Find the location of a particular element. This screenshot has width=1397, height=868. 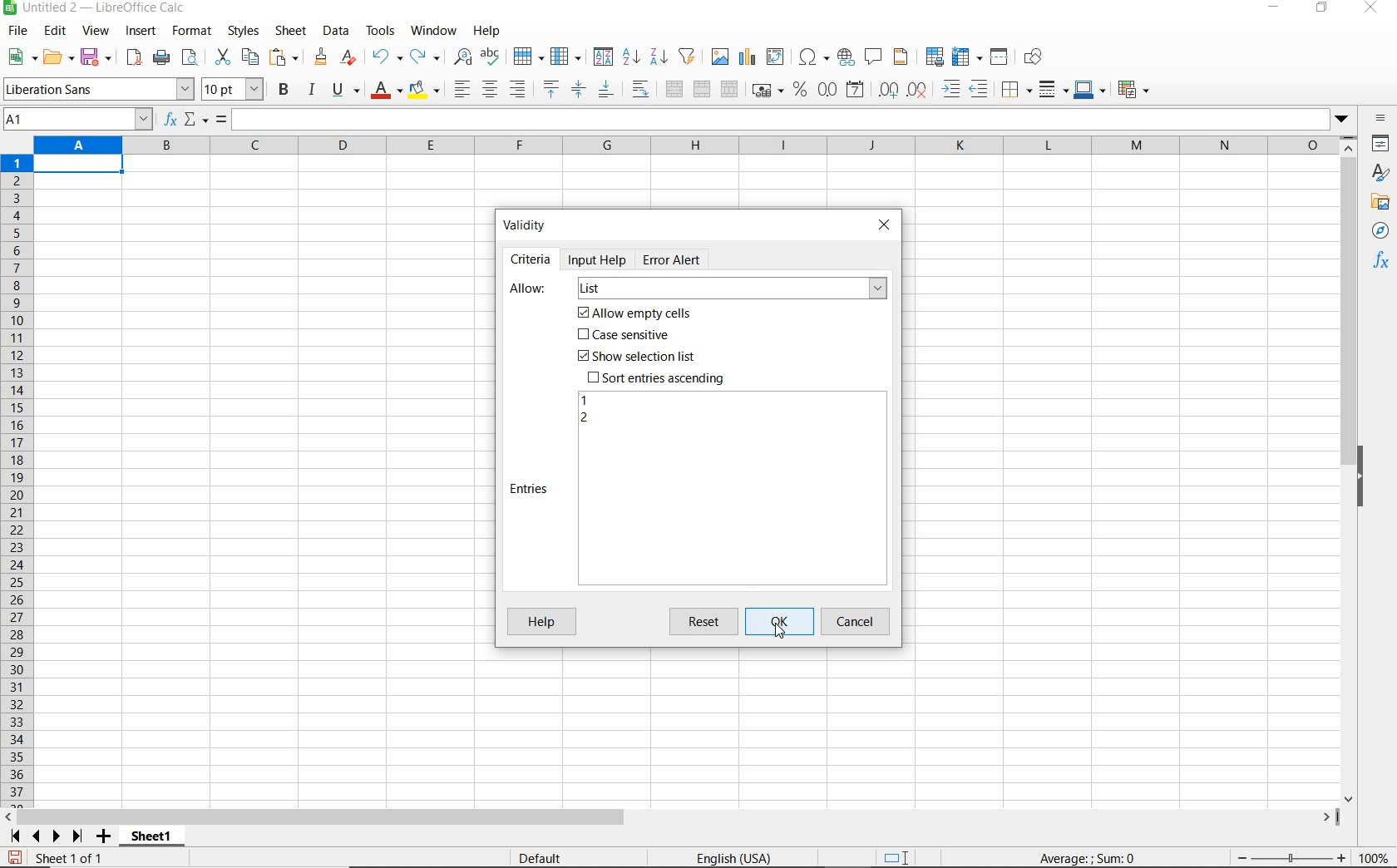

functions is located at coordinates (1384, 262).